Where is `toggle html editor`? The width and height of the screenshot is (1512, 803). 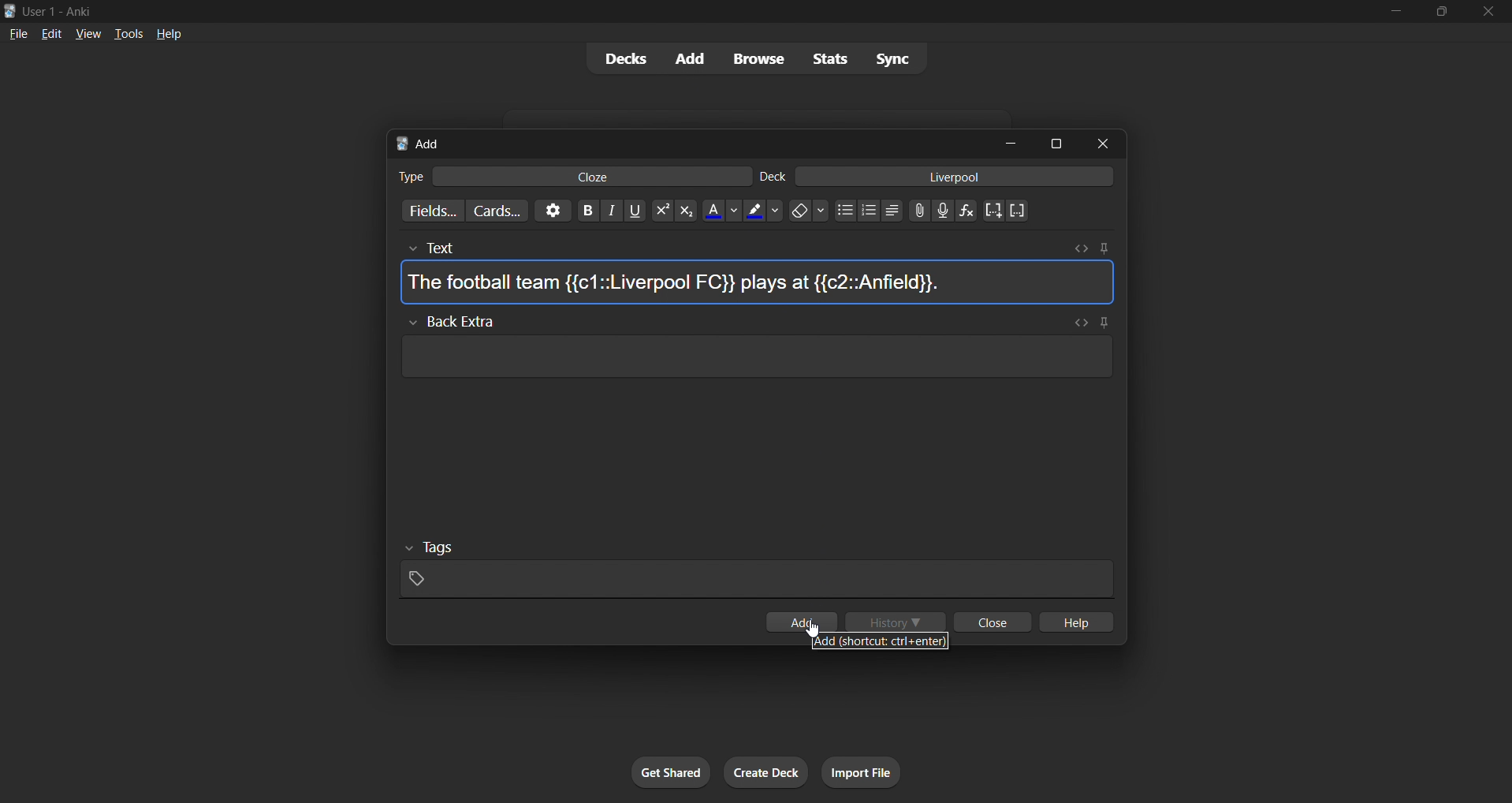 toggle html editor is located at coordinates (1081, 322).